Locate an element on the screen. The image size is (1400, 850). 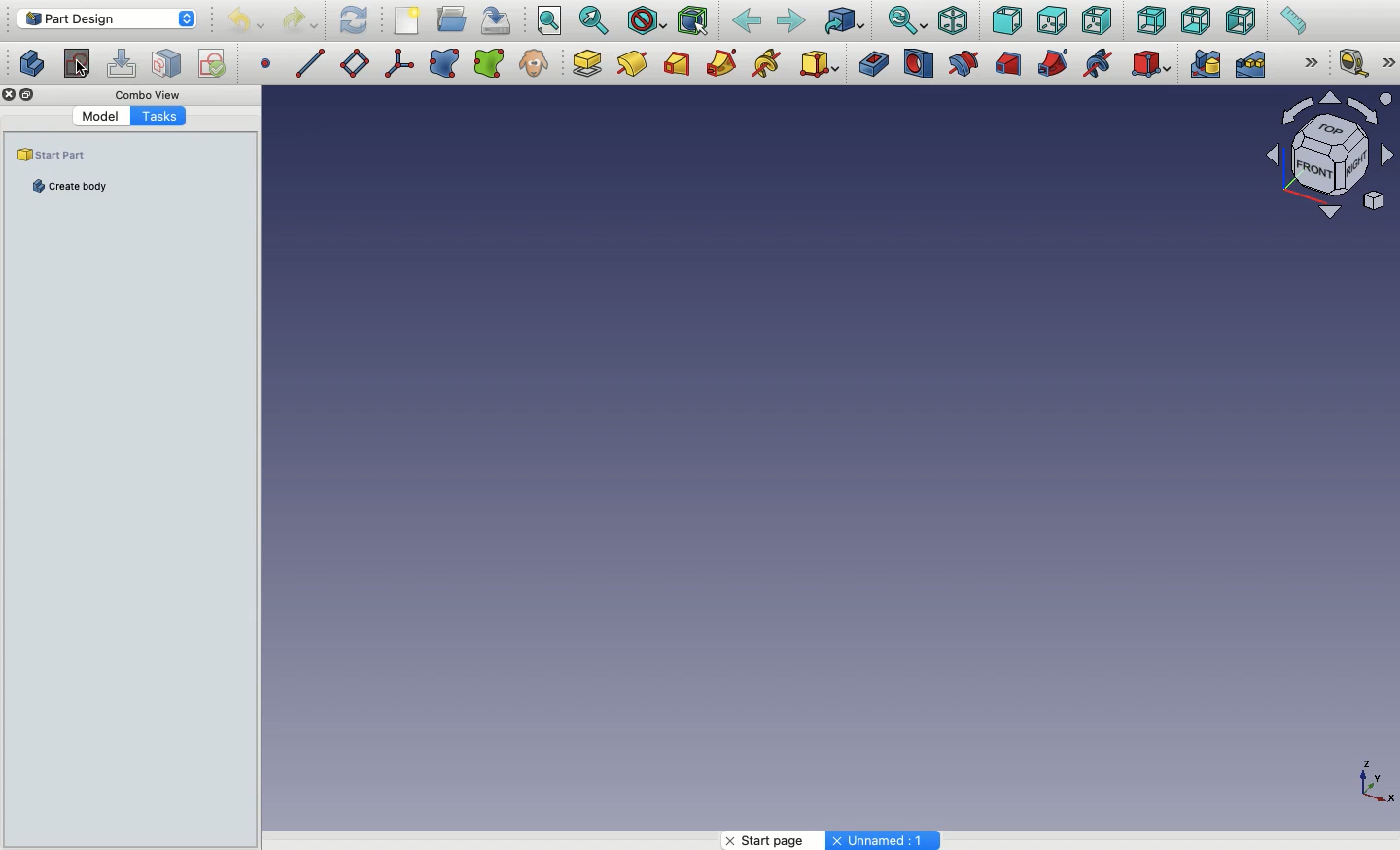
Axis is located at coordinates (1374, 775).